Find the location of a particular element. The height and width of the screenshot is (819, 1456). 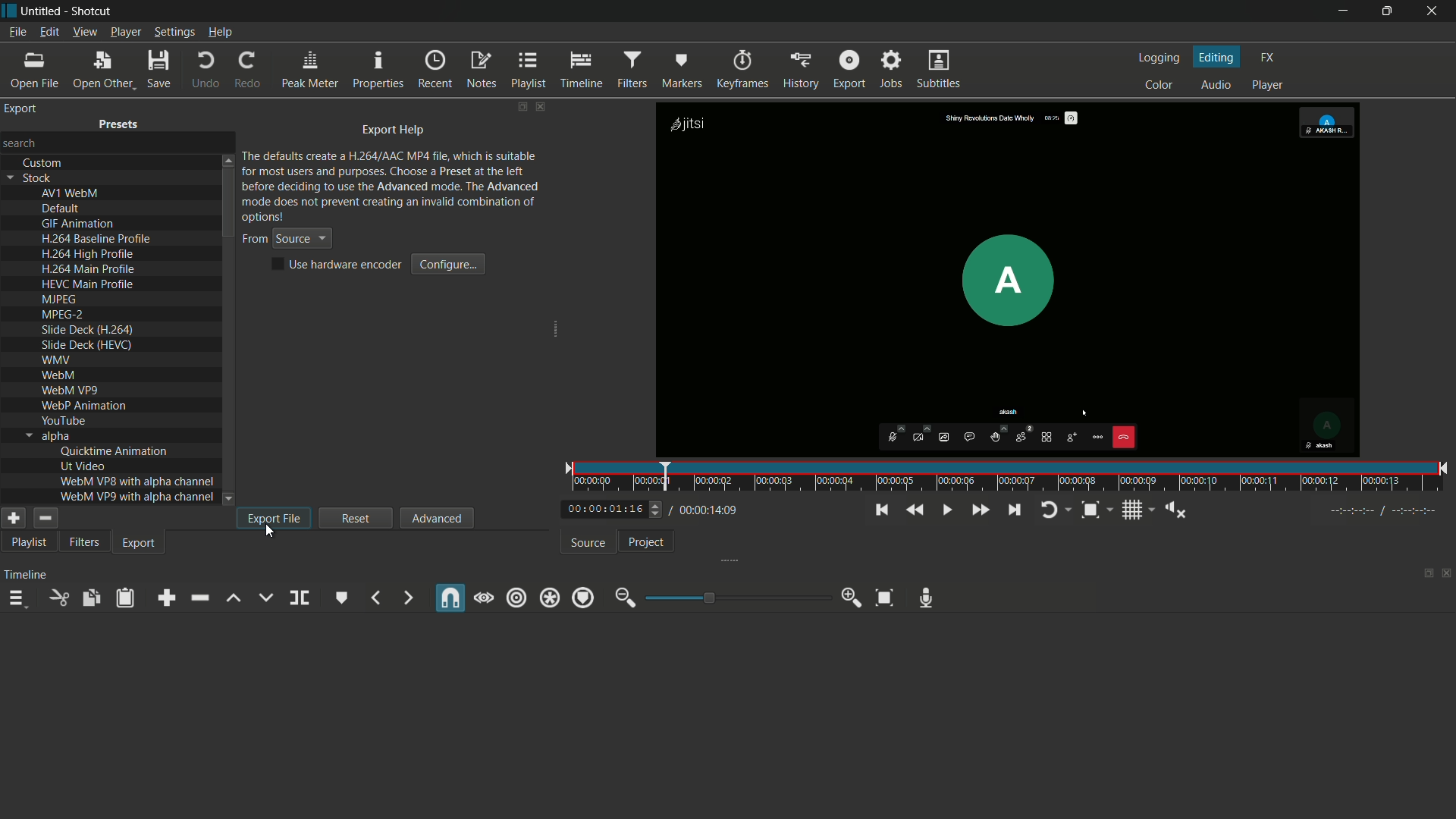

peak meter is located at coordinates (309, 71).